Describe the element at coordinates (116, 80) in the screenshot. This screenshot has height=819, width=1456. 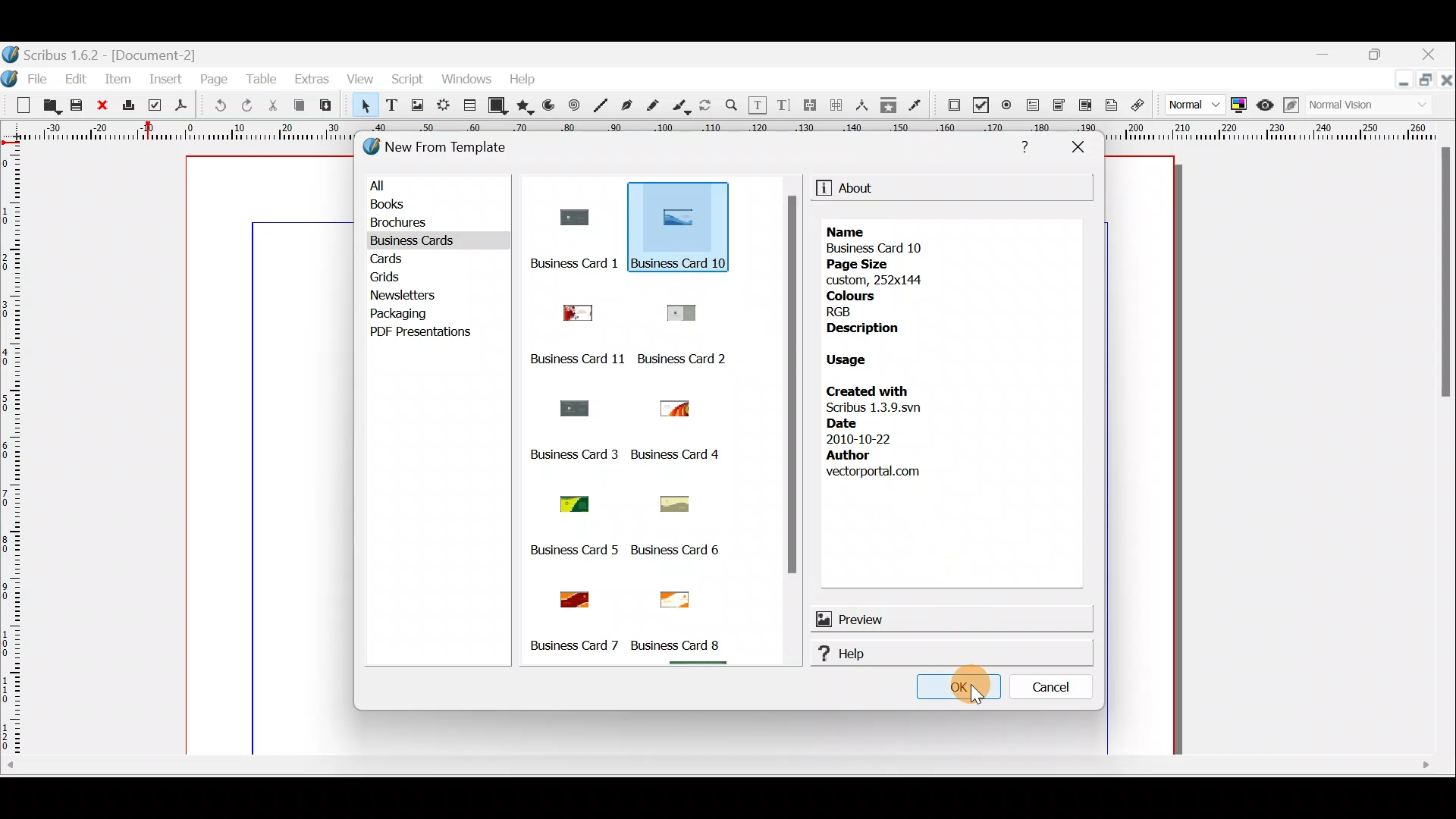
I see `Item` at that location.